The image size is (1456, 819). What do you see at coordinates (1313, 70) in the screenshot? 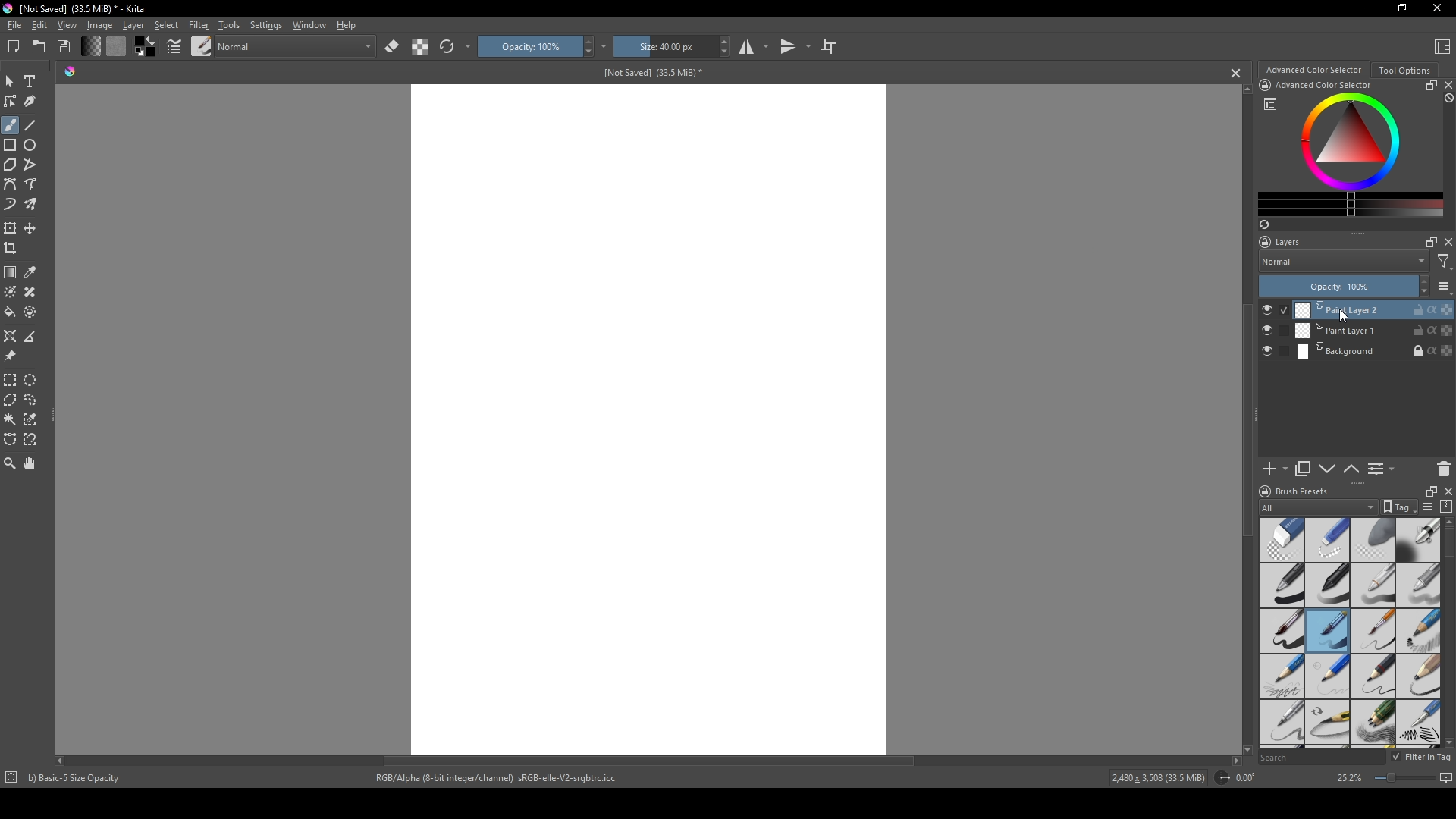
I see `Advanced color selector` at bounding box center [1313, 70].